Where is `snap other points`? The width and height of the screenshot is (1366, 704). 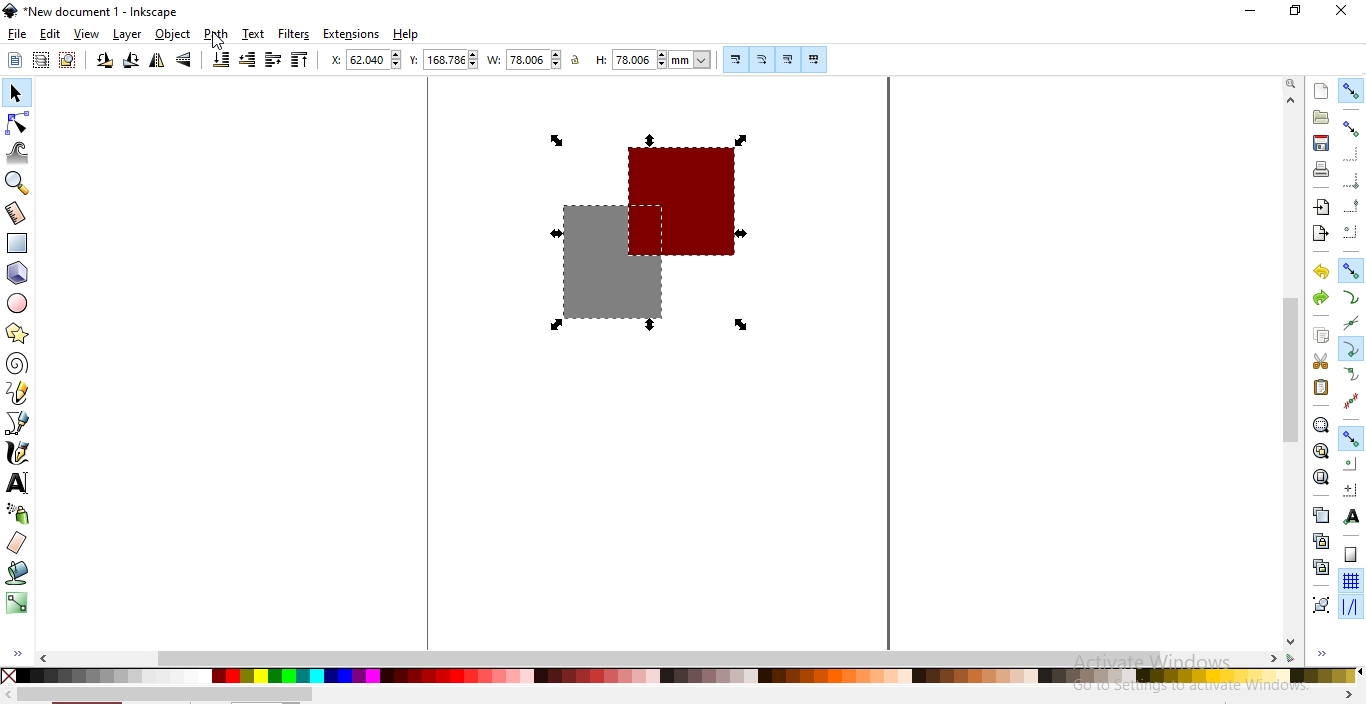 snap other points is located at coordinates (1352, 436).